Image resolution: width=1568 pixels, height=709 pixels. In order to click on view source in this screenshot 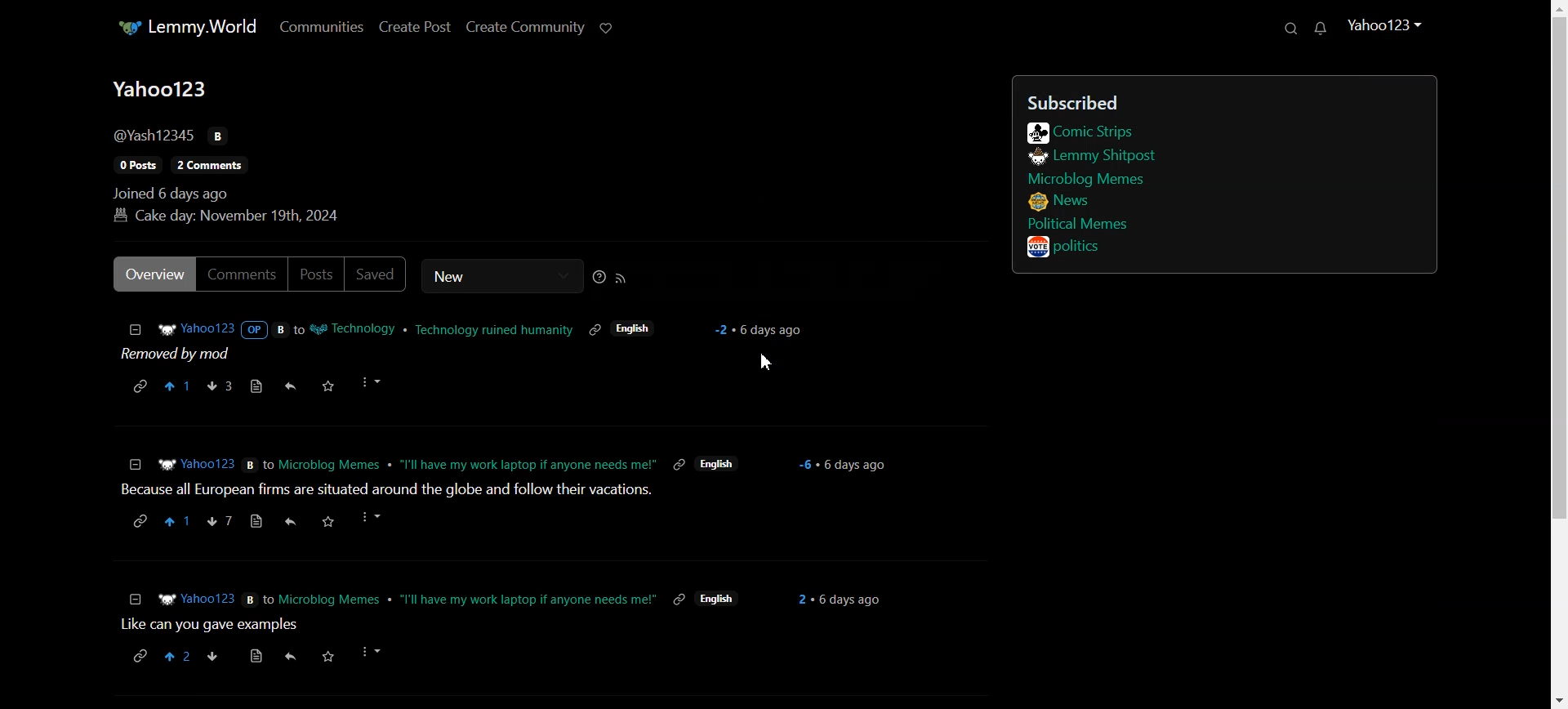, I will do `click(256, 523)`.